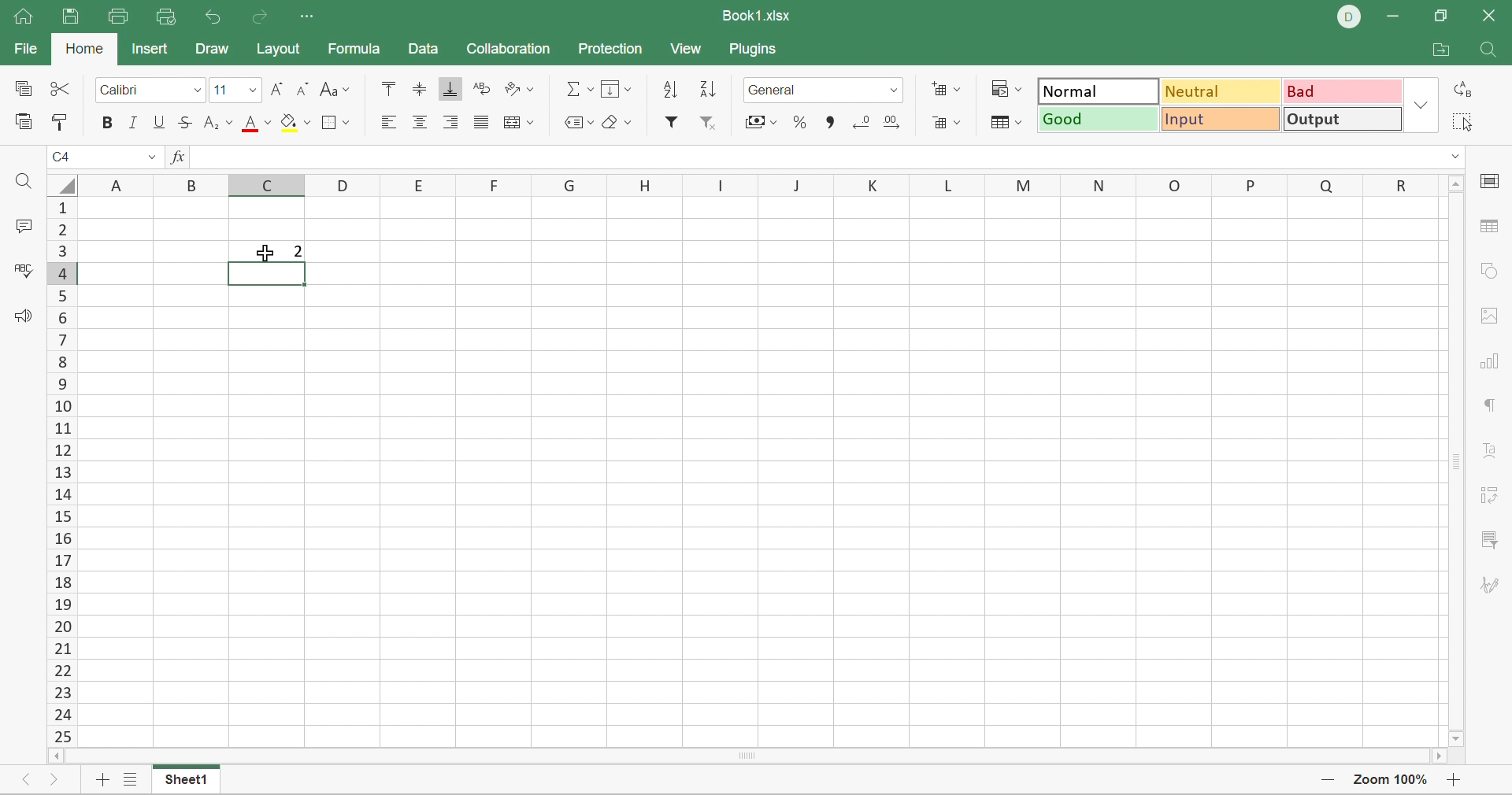 The height and width of the screenshot is (795, 1512). I want to click on Descending order, so click(706, 89).